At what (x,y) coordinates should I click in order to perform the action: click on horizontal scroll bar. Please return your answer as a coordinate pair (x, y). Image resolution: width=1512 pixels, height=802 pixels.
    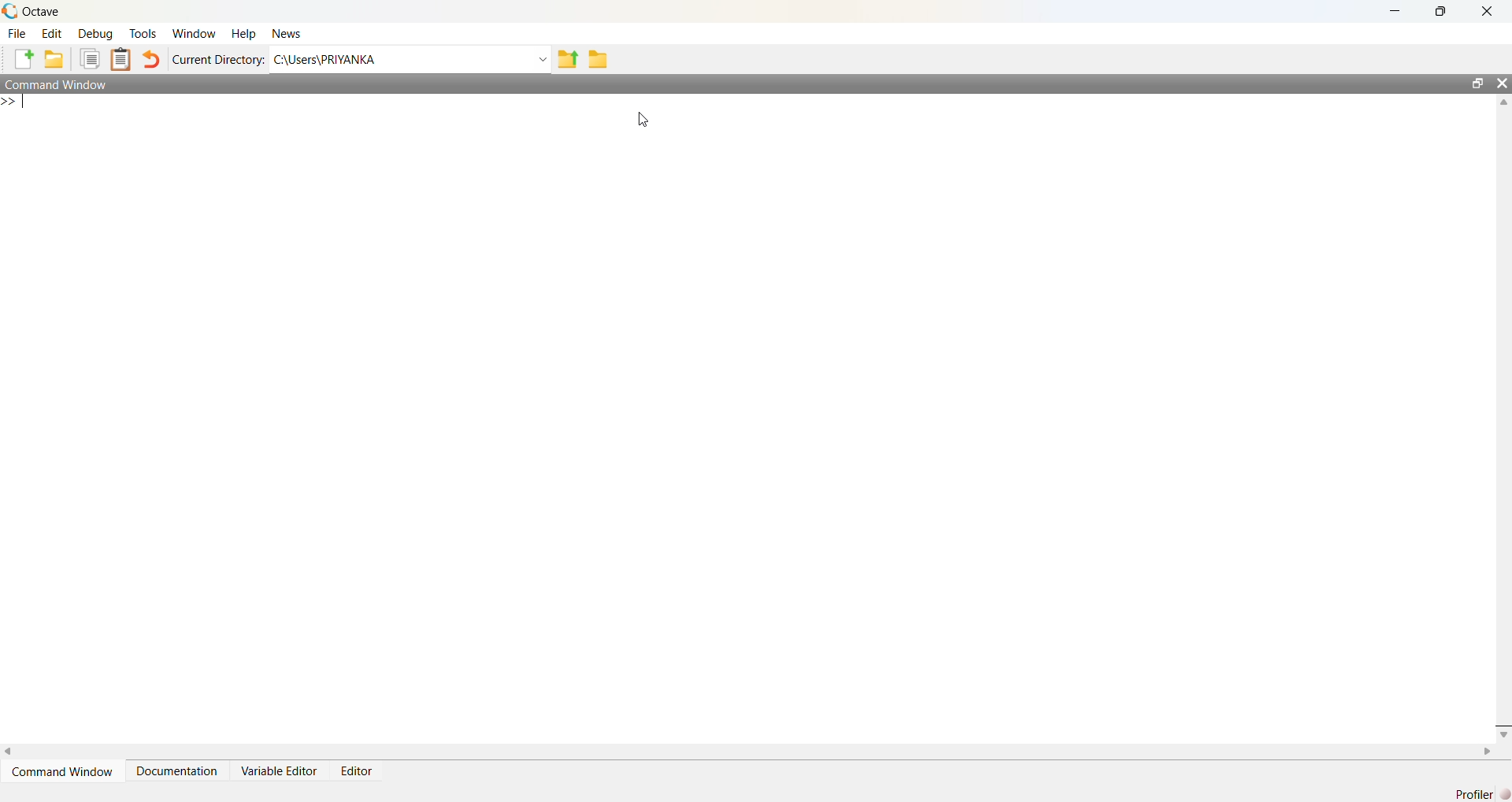
    Looking at the image, I should click on (749, 751).